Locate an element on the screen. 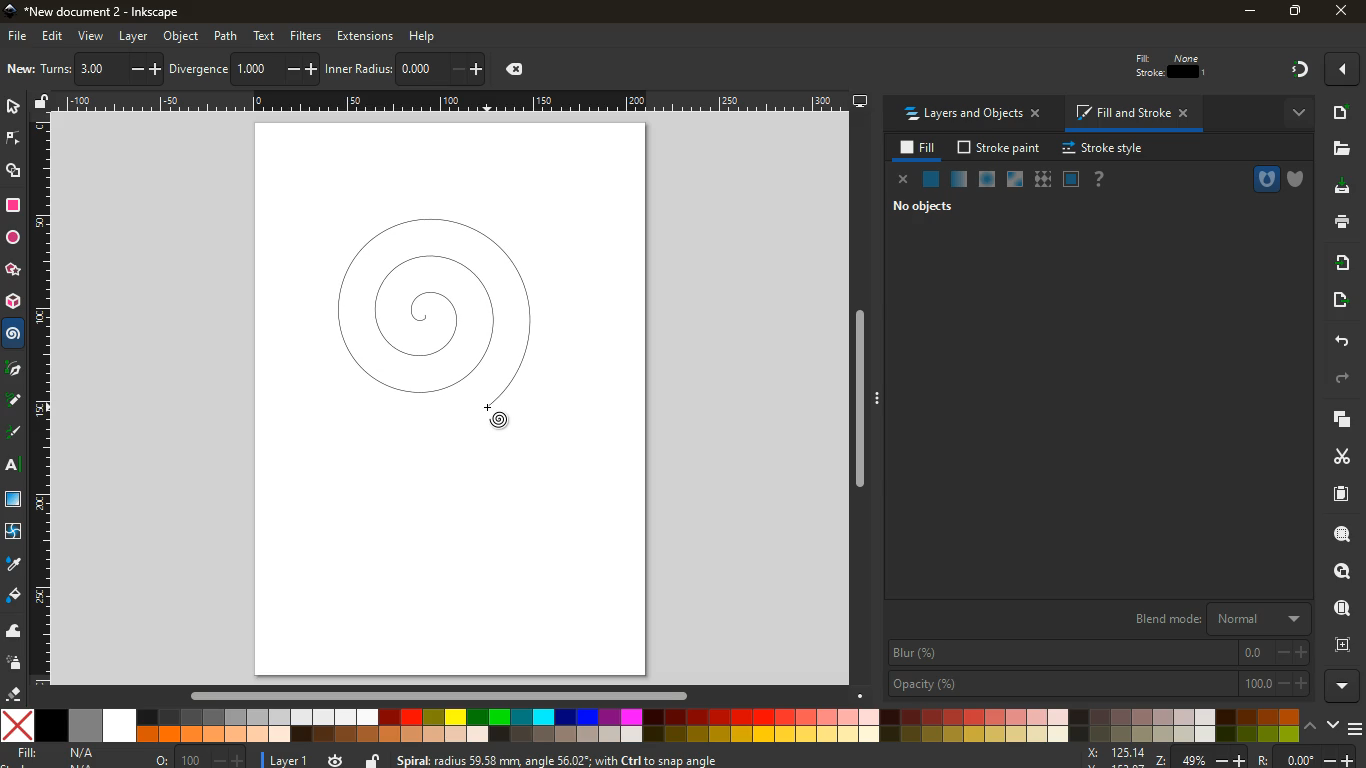 The height and width of the screenshot is (768, 1366). edit is located at coordinates (1190, 69).